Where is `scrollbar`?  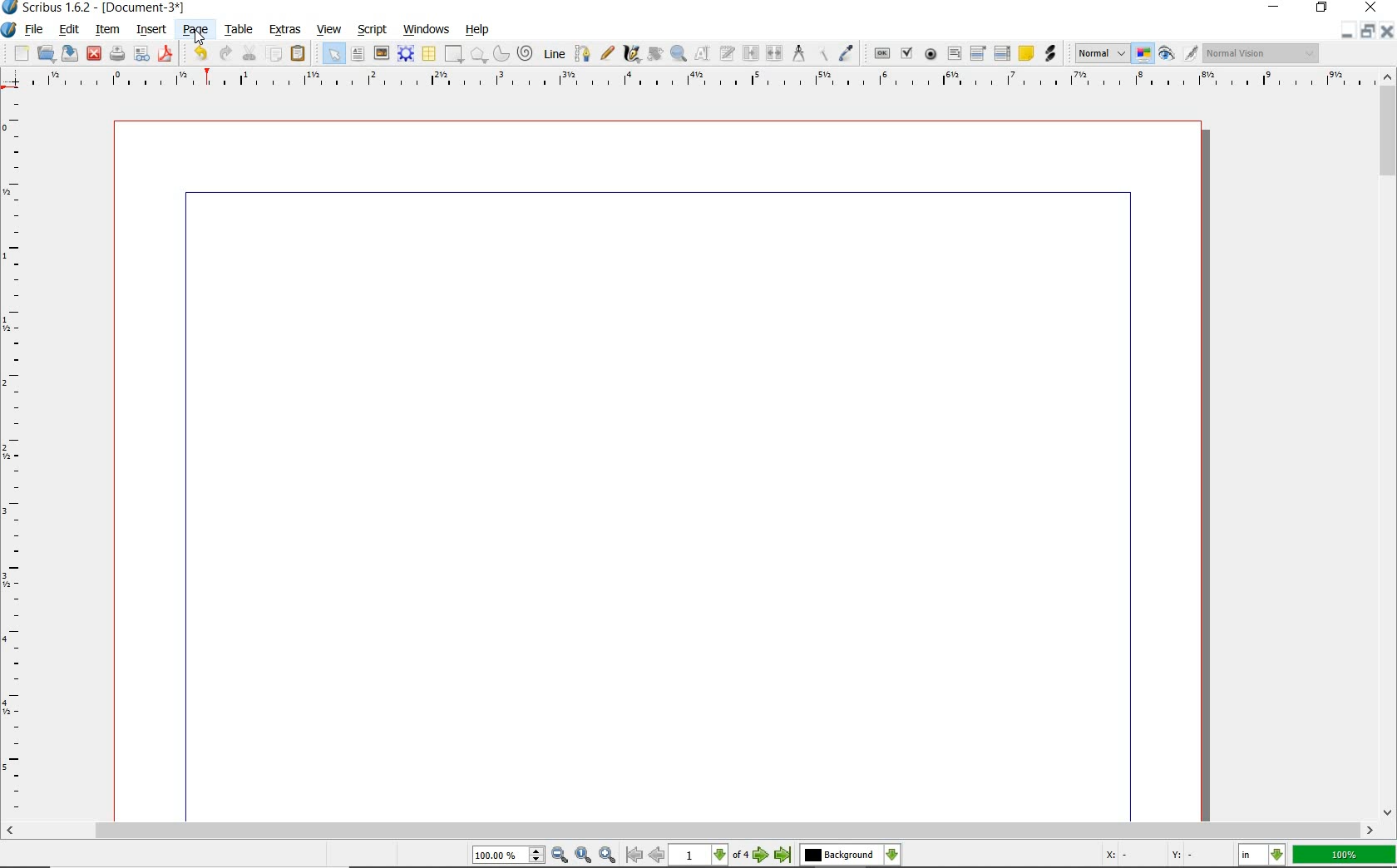
scrollbar is located at coordinates (1389, 445).